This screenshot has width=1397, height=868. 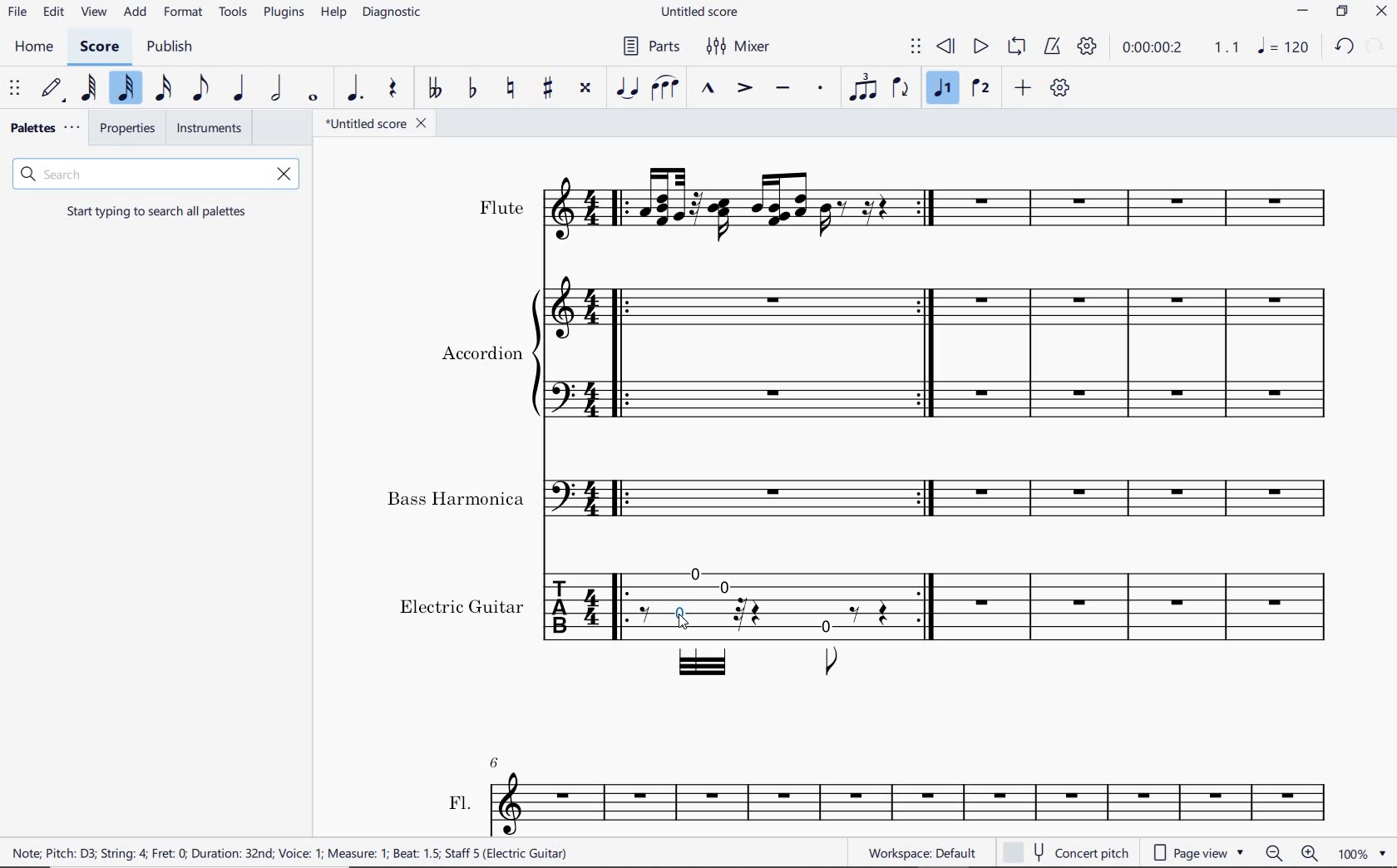 I want to click on Instrument: Electric guitar, so click(x=865, y=620).